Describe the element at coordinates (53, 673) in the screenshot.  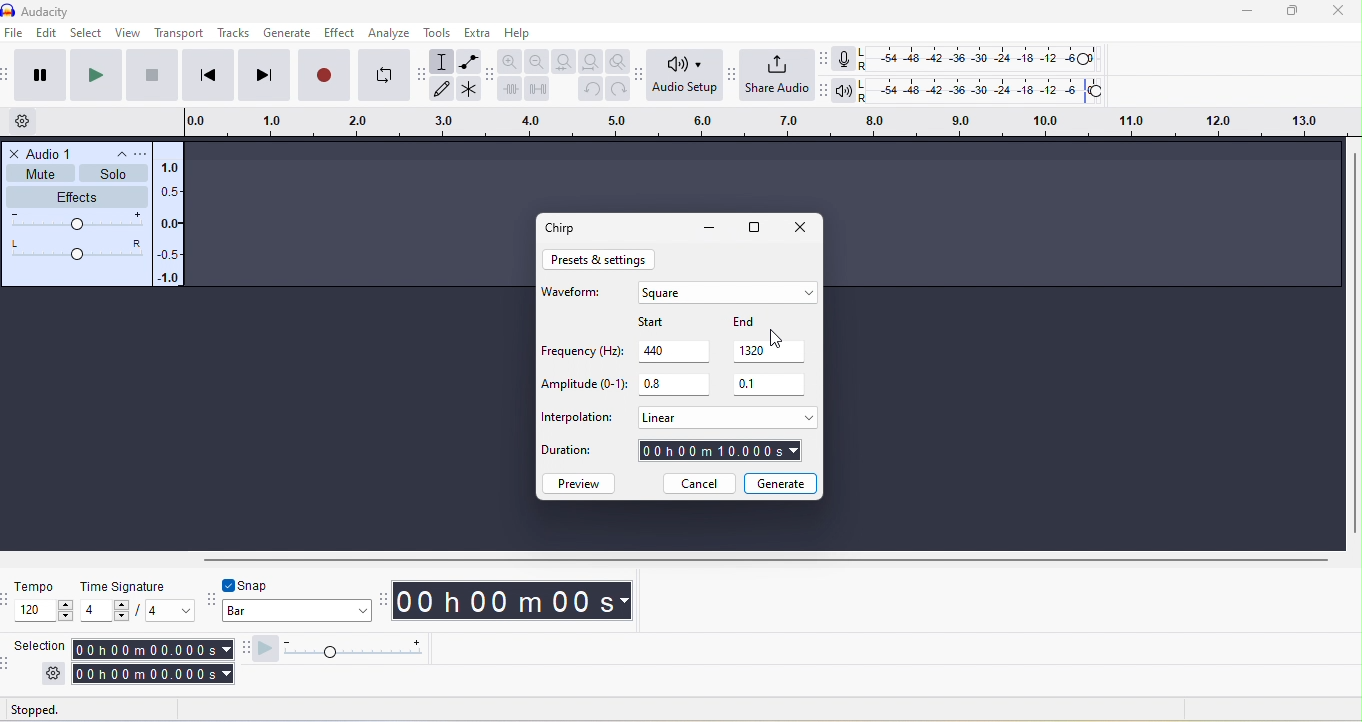
I see `settings` at that location.